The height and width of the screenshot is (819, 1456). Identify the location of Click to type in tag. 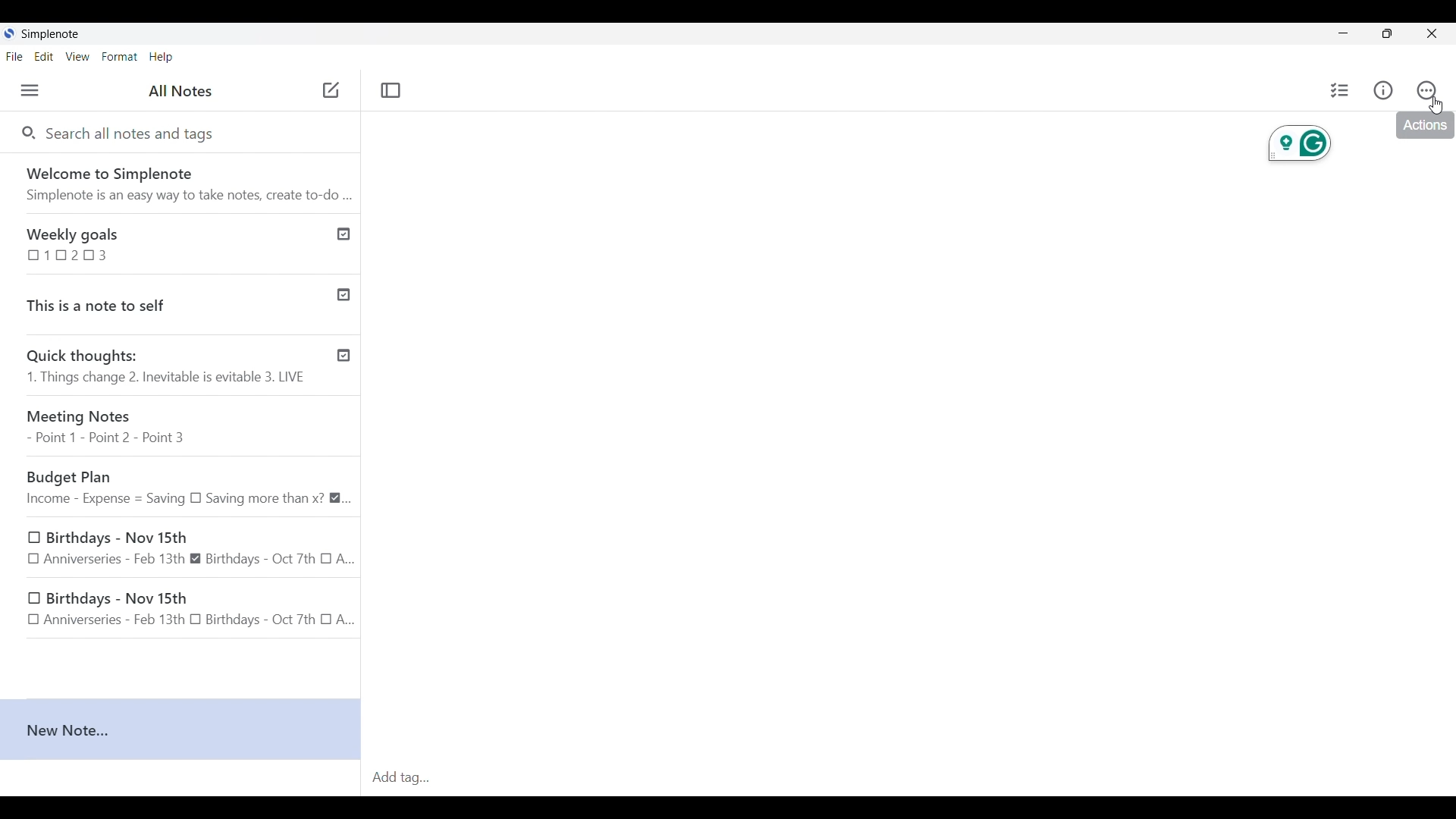
(910, 778).